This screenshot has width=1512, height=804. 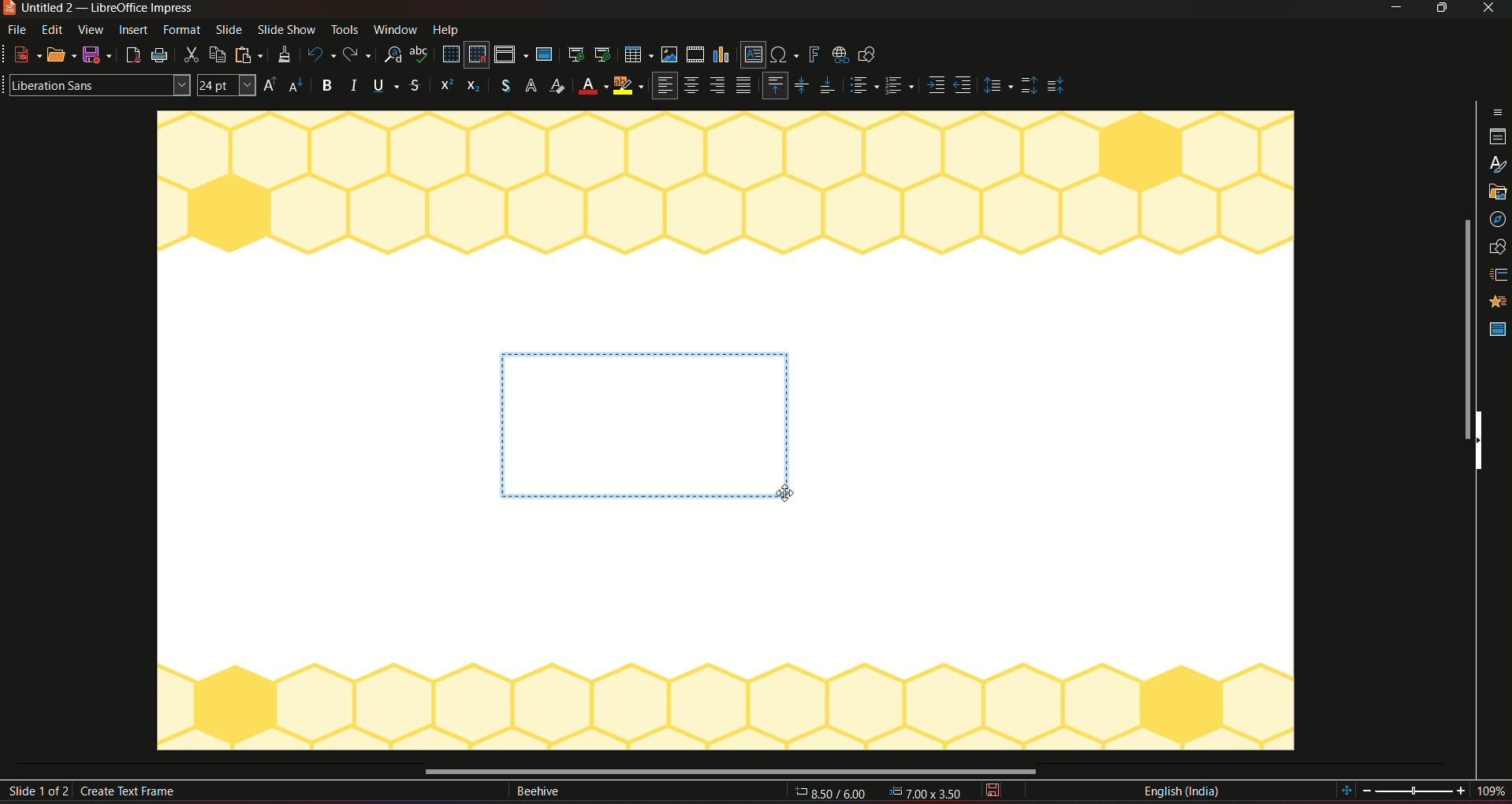 What do you see at coordinates (1496, 106) in the screenshot?
I see `properties` at bounding box center [1496, 106].